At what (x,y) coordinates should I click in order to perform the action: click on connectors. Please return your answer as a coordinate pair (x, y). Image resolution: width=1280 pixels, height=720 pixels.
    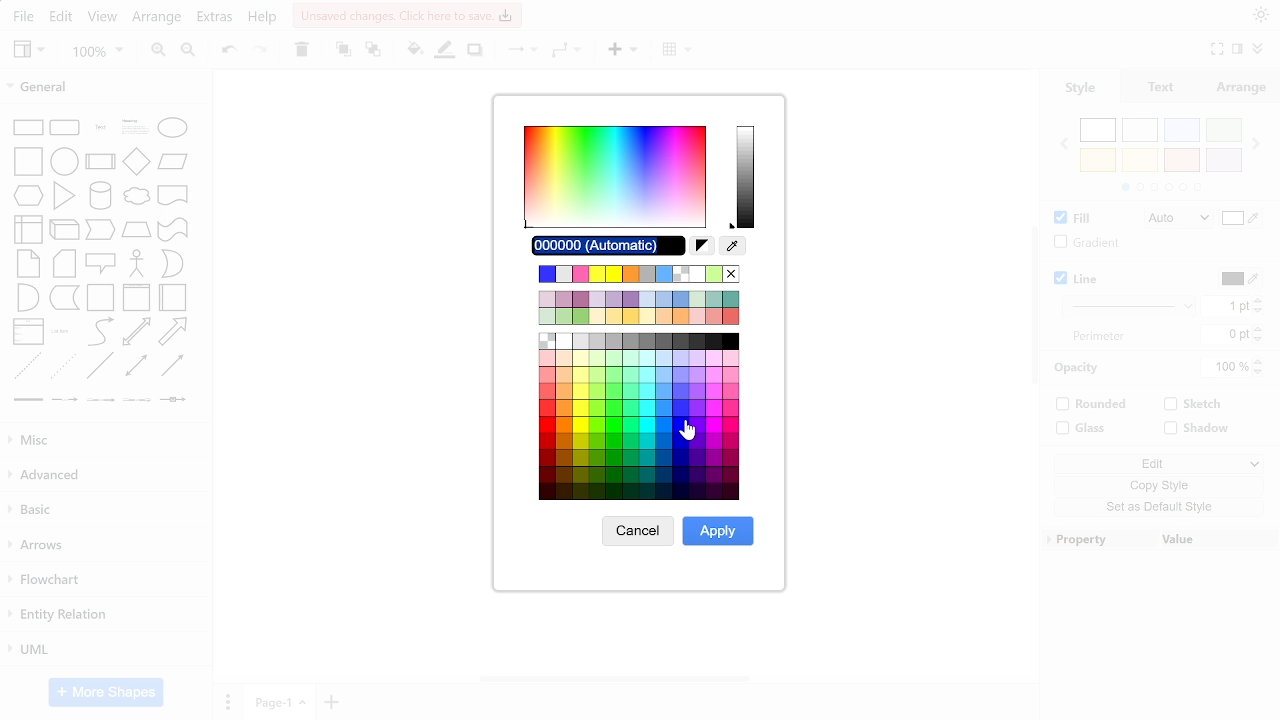
    Looking at the image, I should click on (518, 51).